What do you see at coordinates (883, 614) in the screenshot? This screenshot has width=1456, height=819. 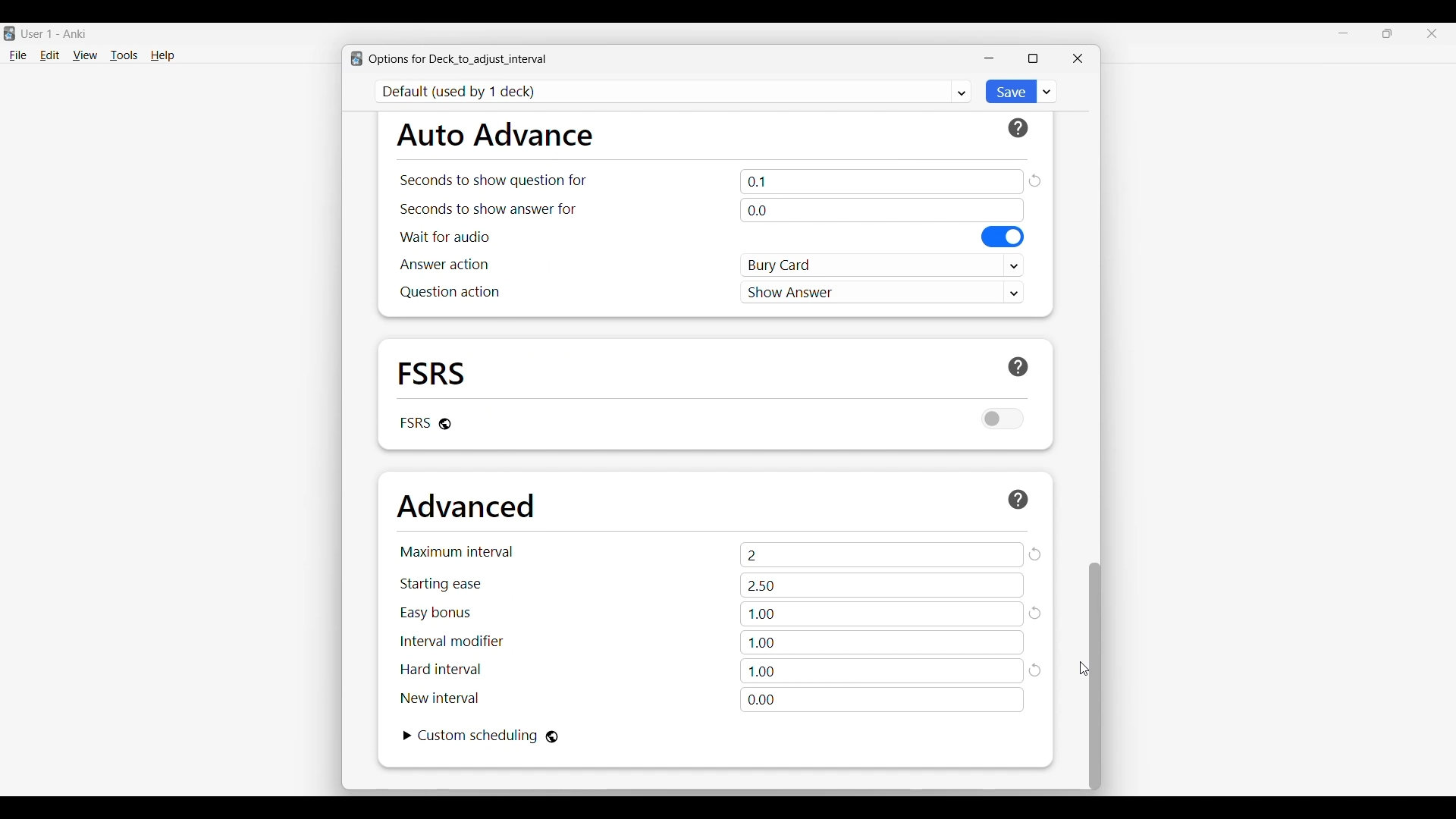 I see `1.00` at bounding box center [883, 614].